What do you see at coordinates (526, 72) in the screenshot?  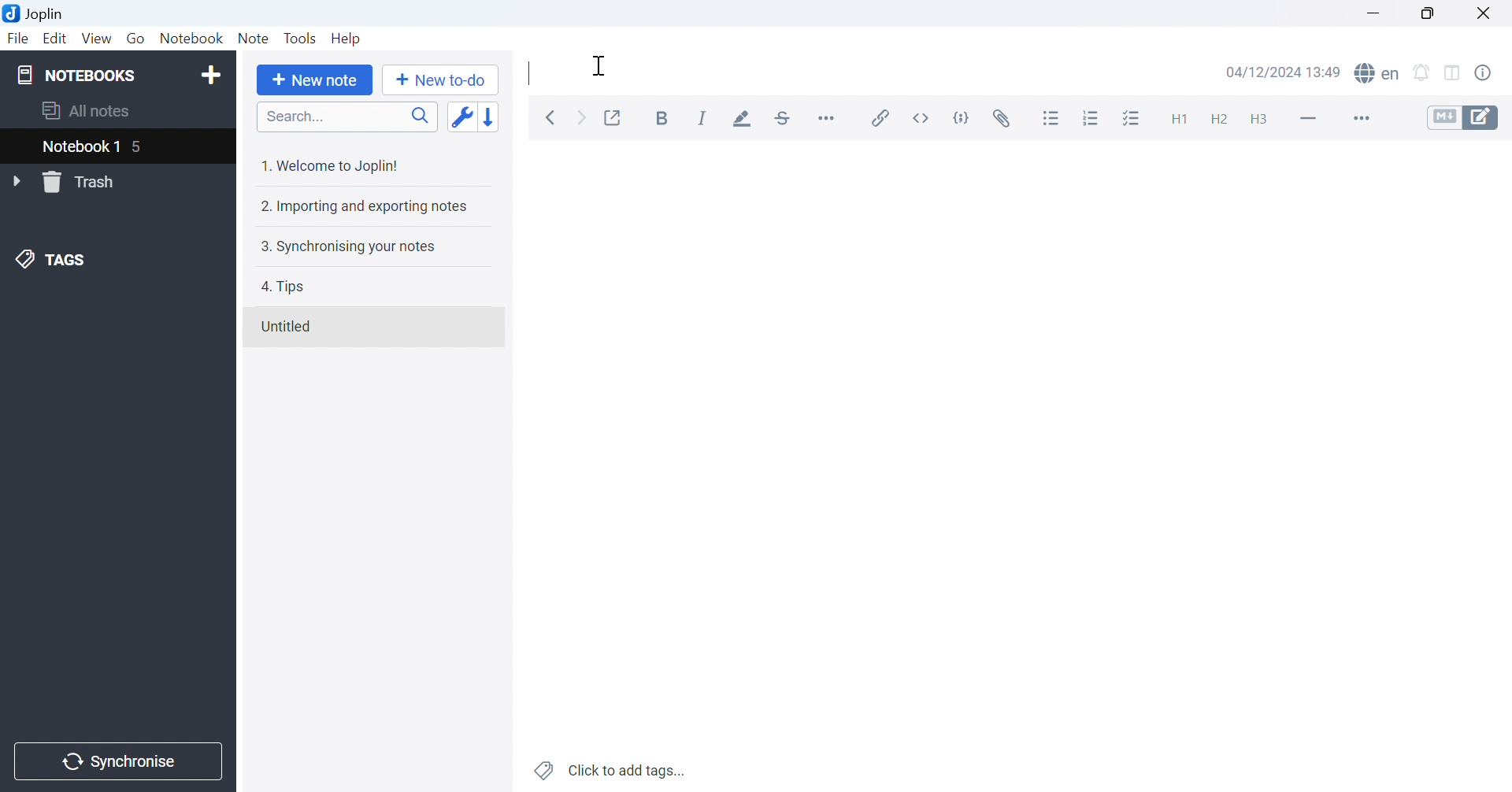 I see `Typing cursor` at bounding box center [526, 72].